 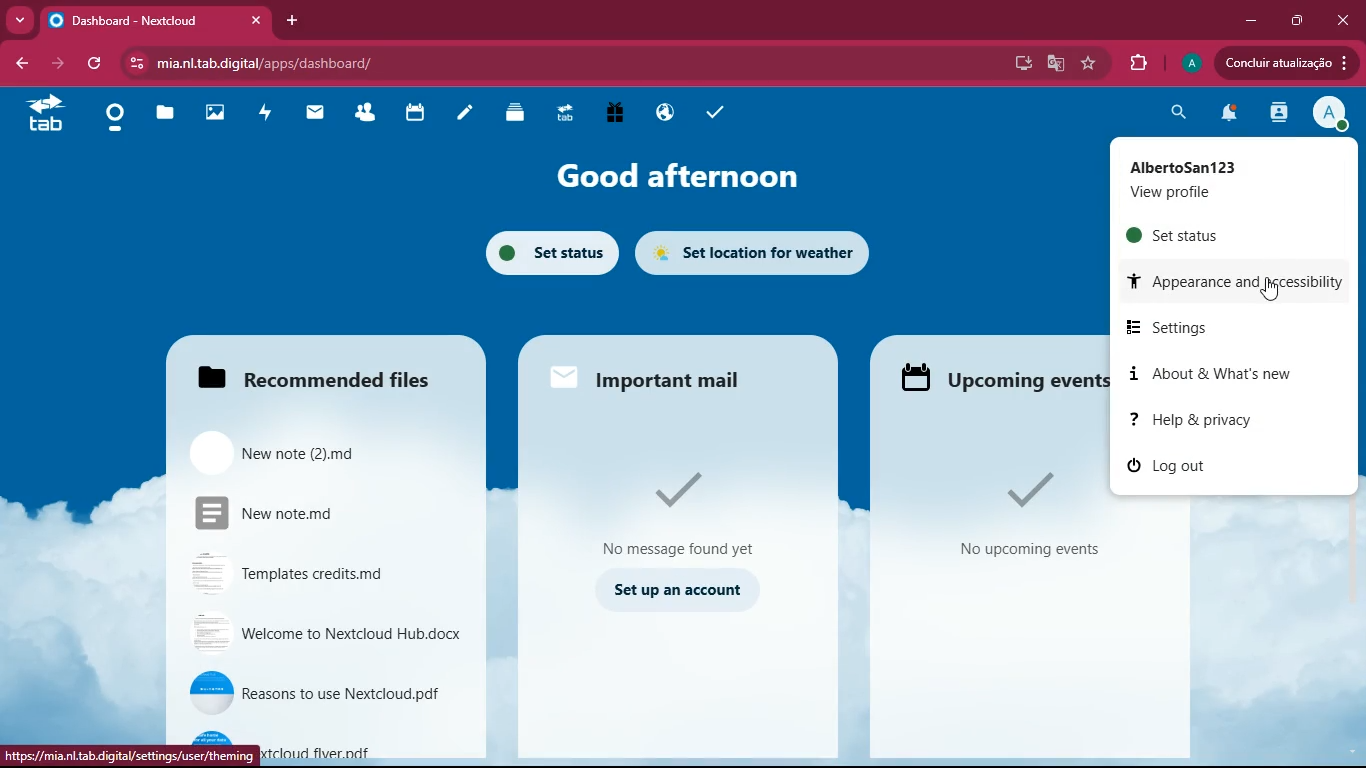 I want to click on settings, so click(x=1211, y=327).